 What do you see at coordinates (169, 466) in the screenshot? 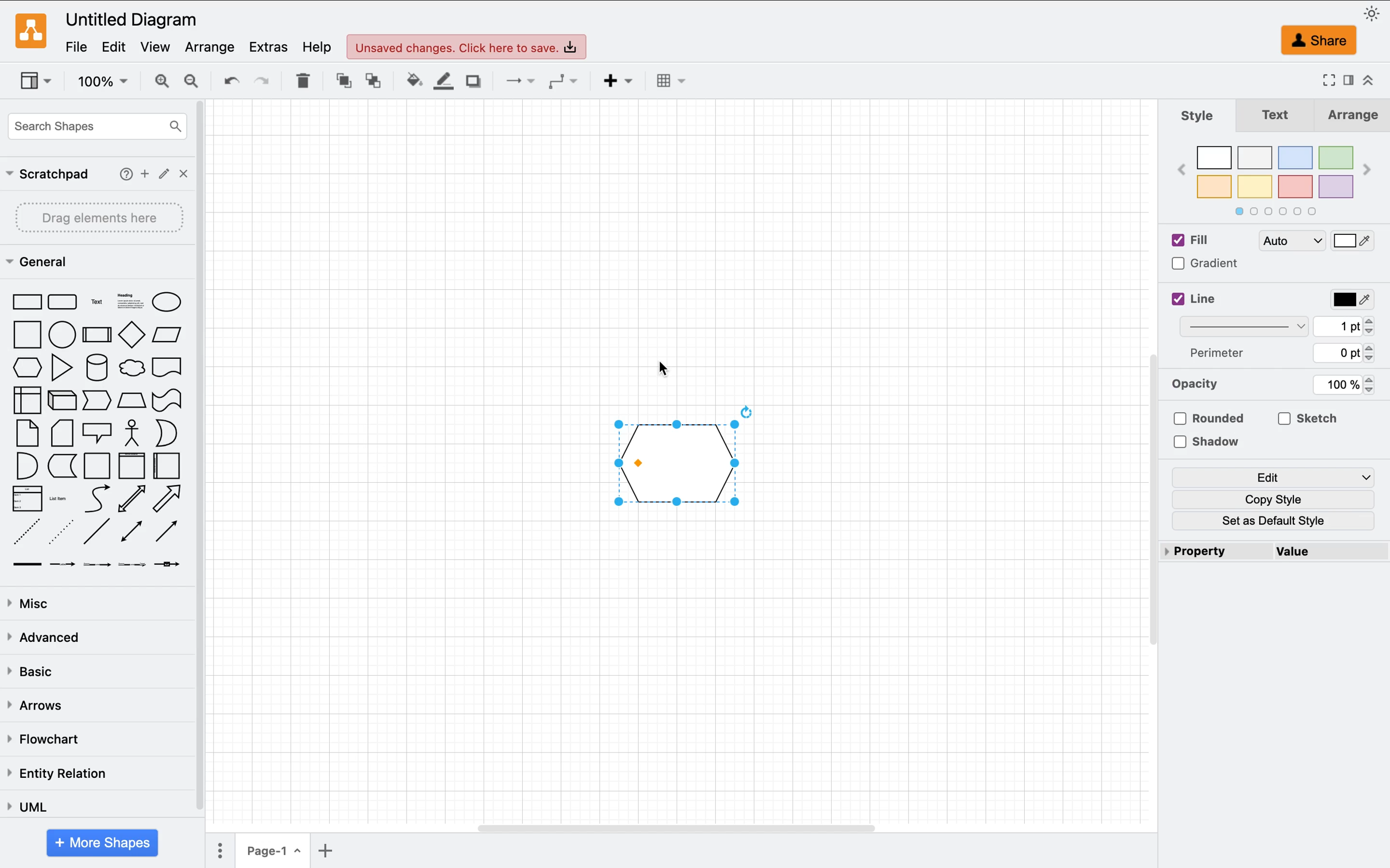
I see `horizontal container` at bounding box center [169, 466].